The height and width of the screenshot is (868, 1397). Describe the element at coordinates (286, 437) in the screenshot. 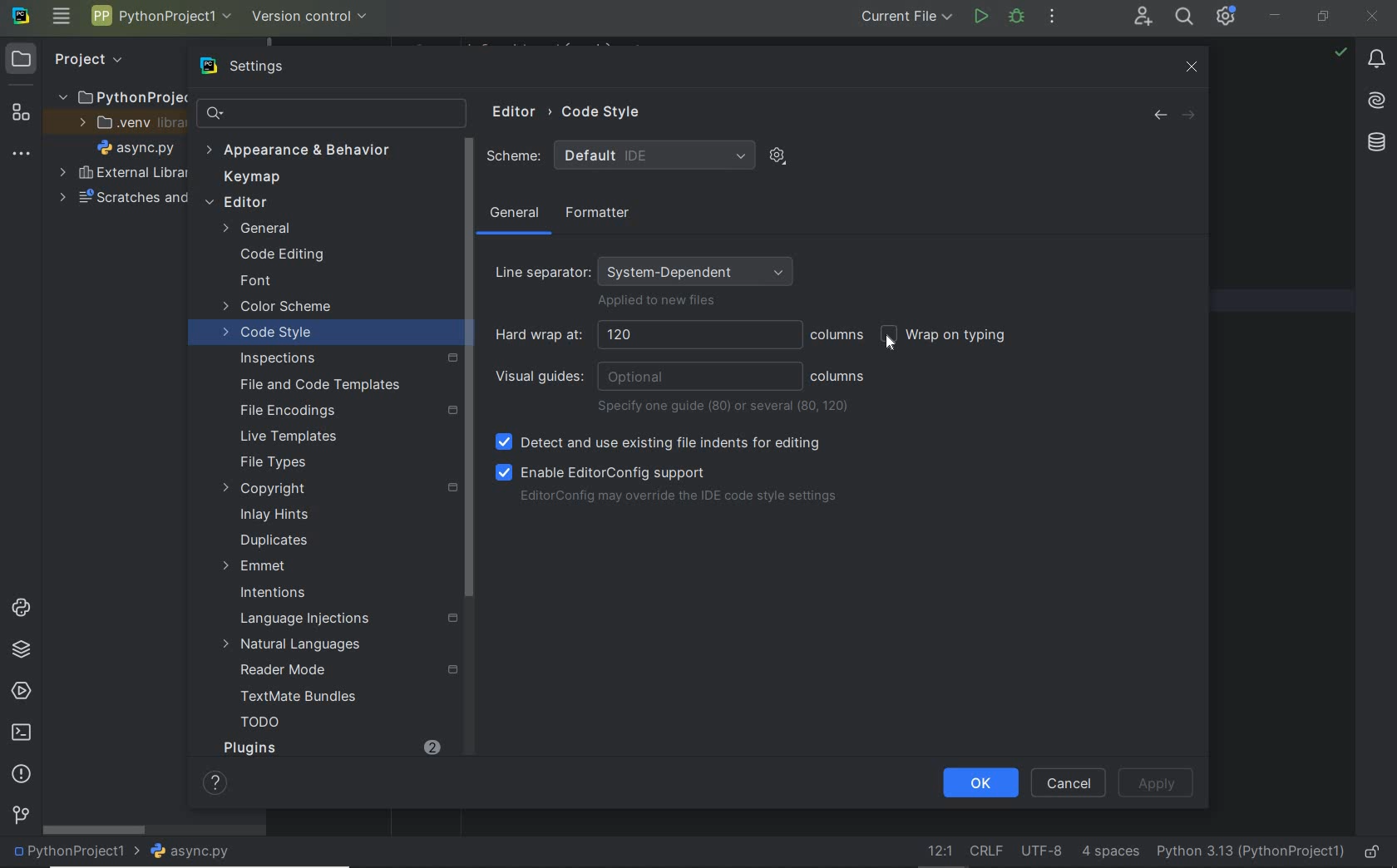

I see `Live Templates` at that location.